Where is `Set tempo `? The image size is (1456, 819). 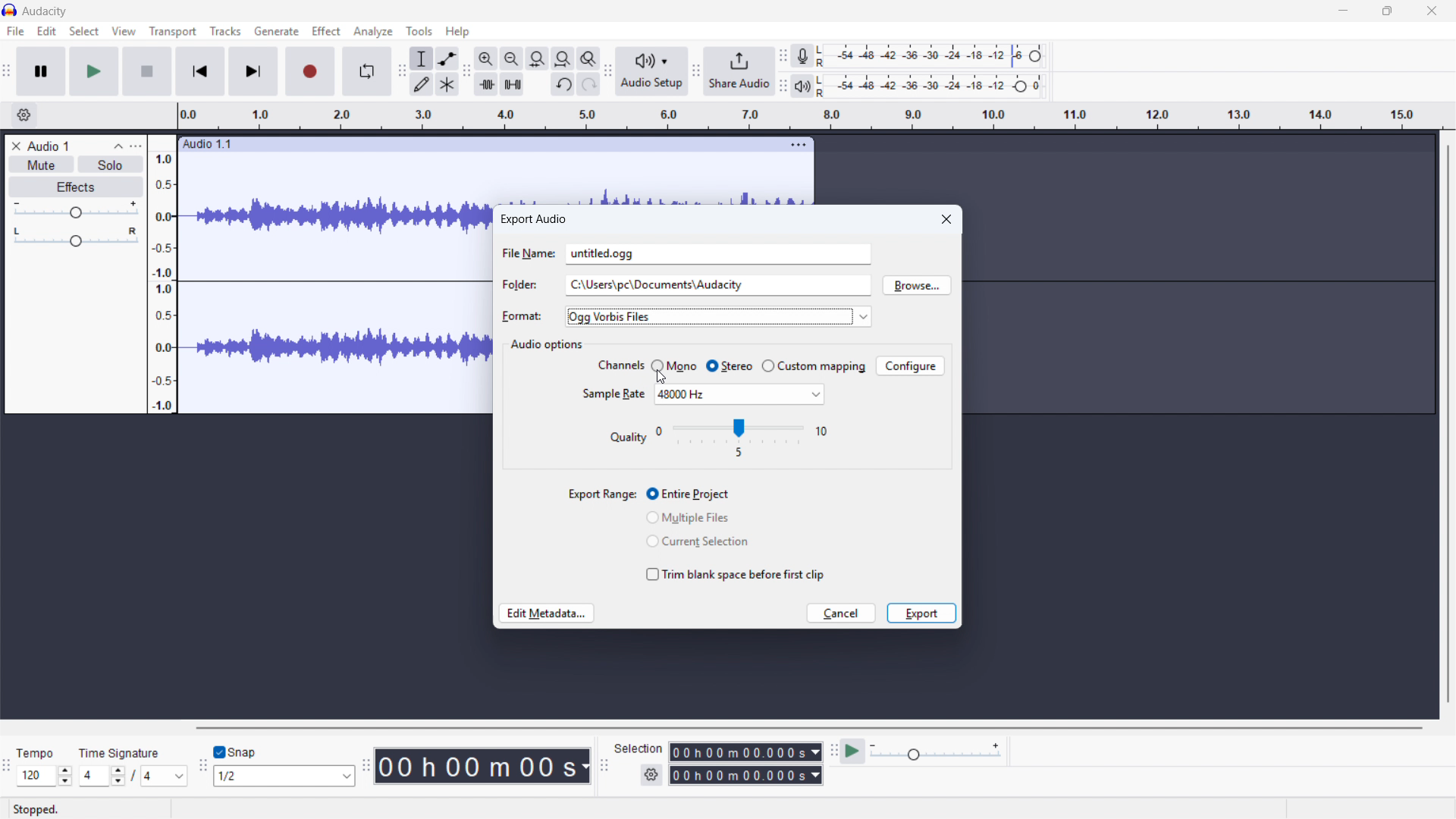
Set tempo  is located at coordinates (44, 777).